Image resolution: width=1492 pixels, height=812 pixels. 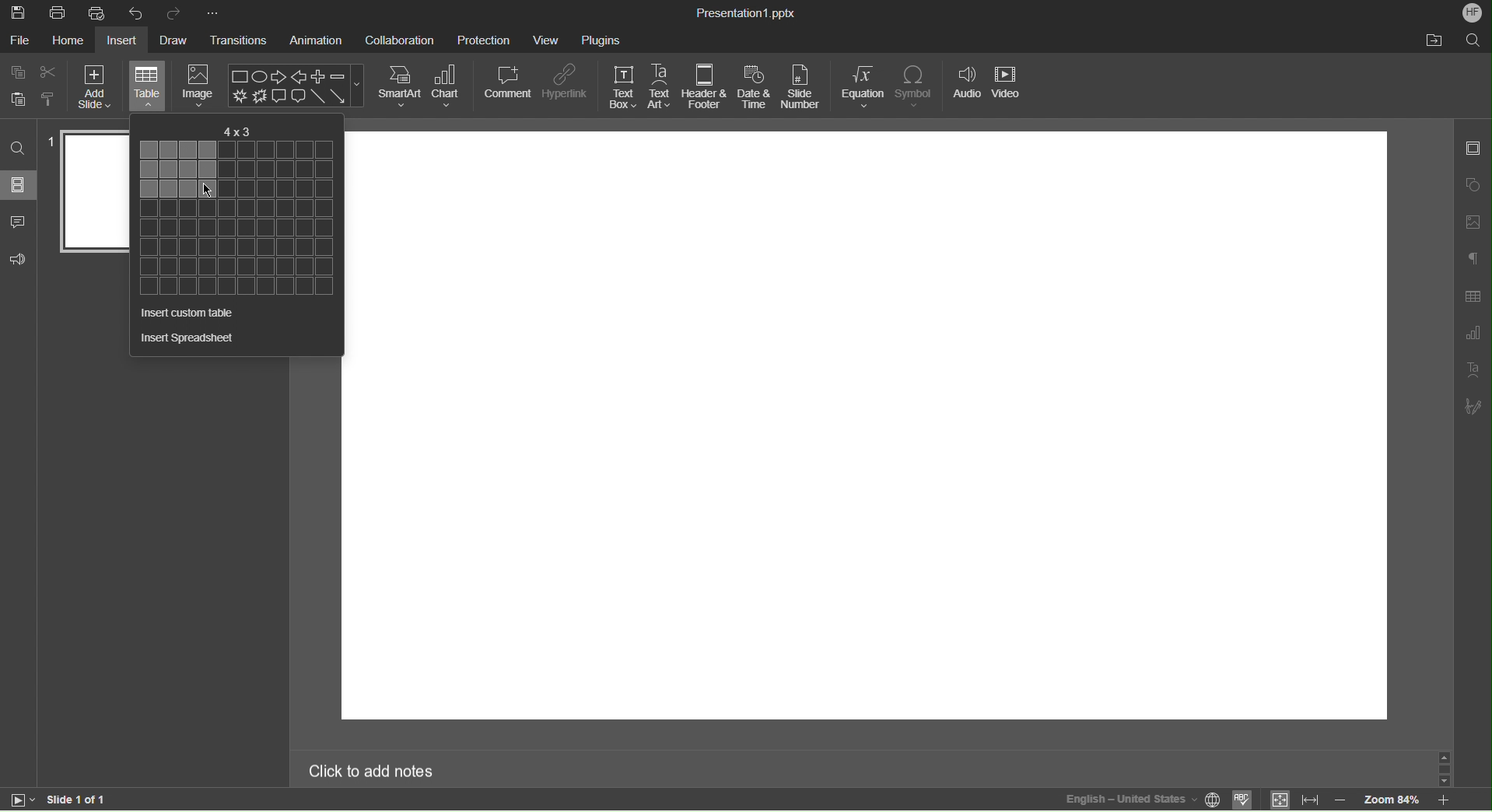 What do you see at coordinates (77, 799) in the screenshot?
I see `Slide 1 of 1` at bounding box center [77, 799].